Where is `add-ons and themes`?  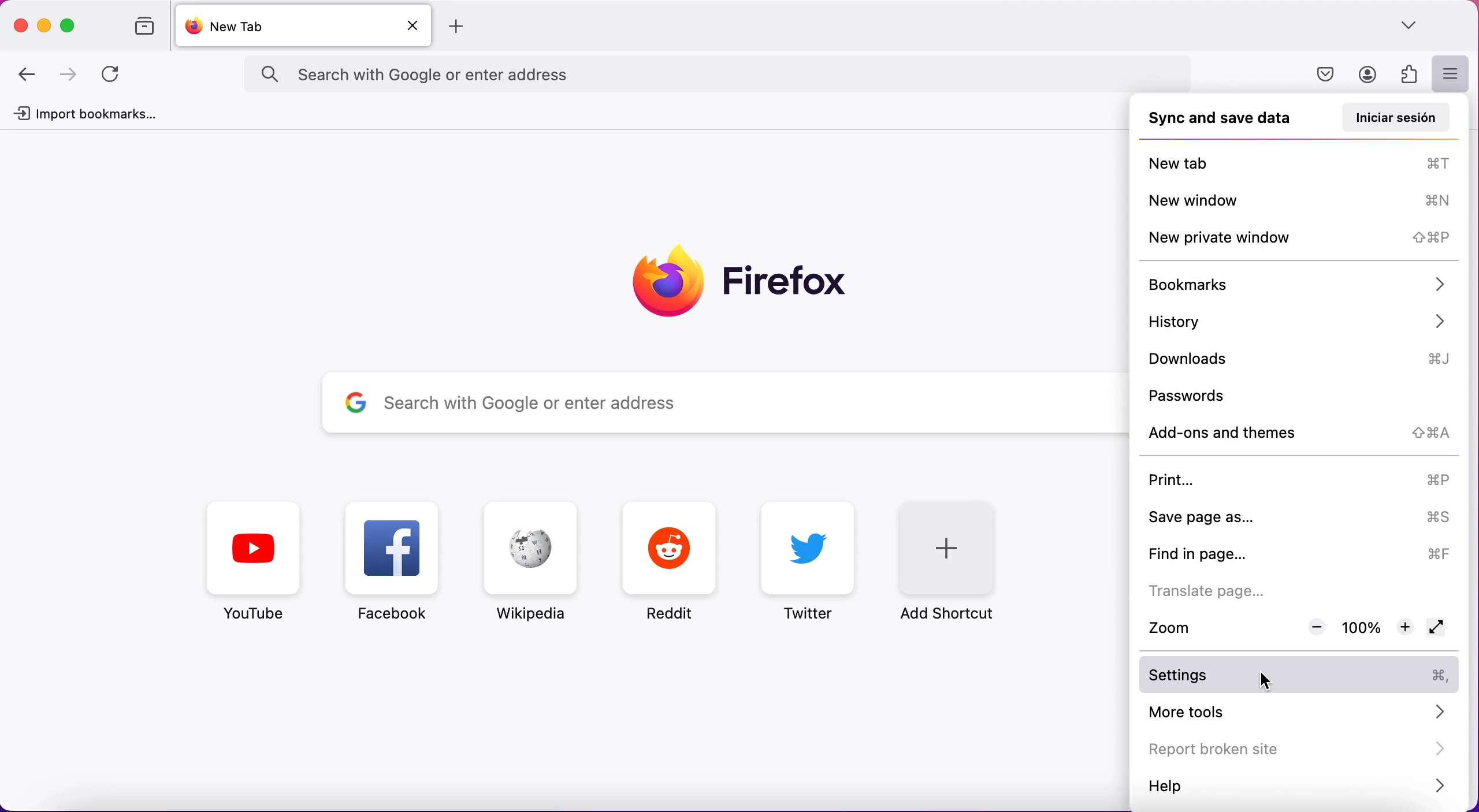 add-ons and themes is located at coordinates (1302, 434).